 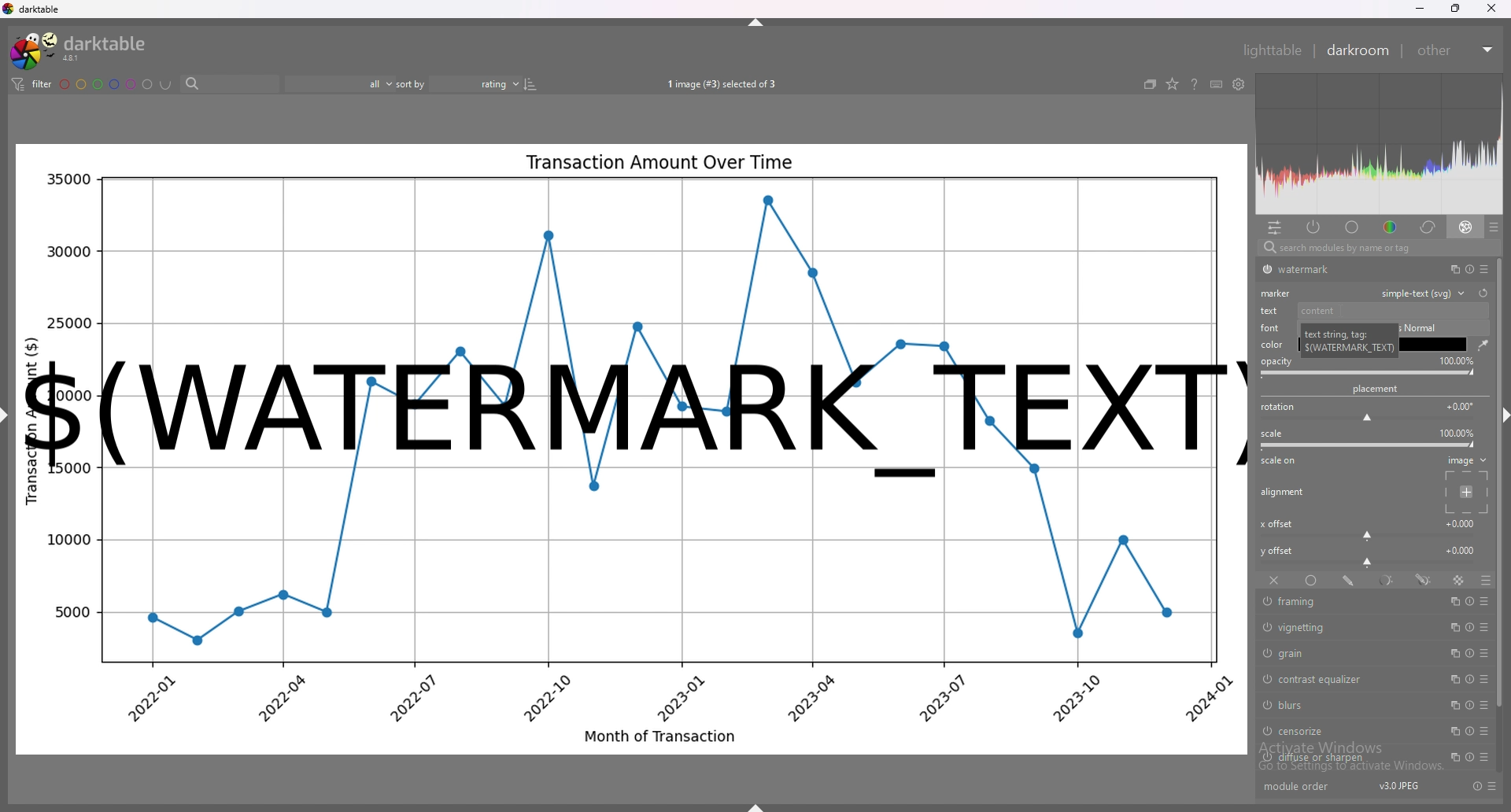 I want to click on presets, so click(x=1482, y=757).